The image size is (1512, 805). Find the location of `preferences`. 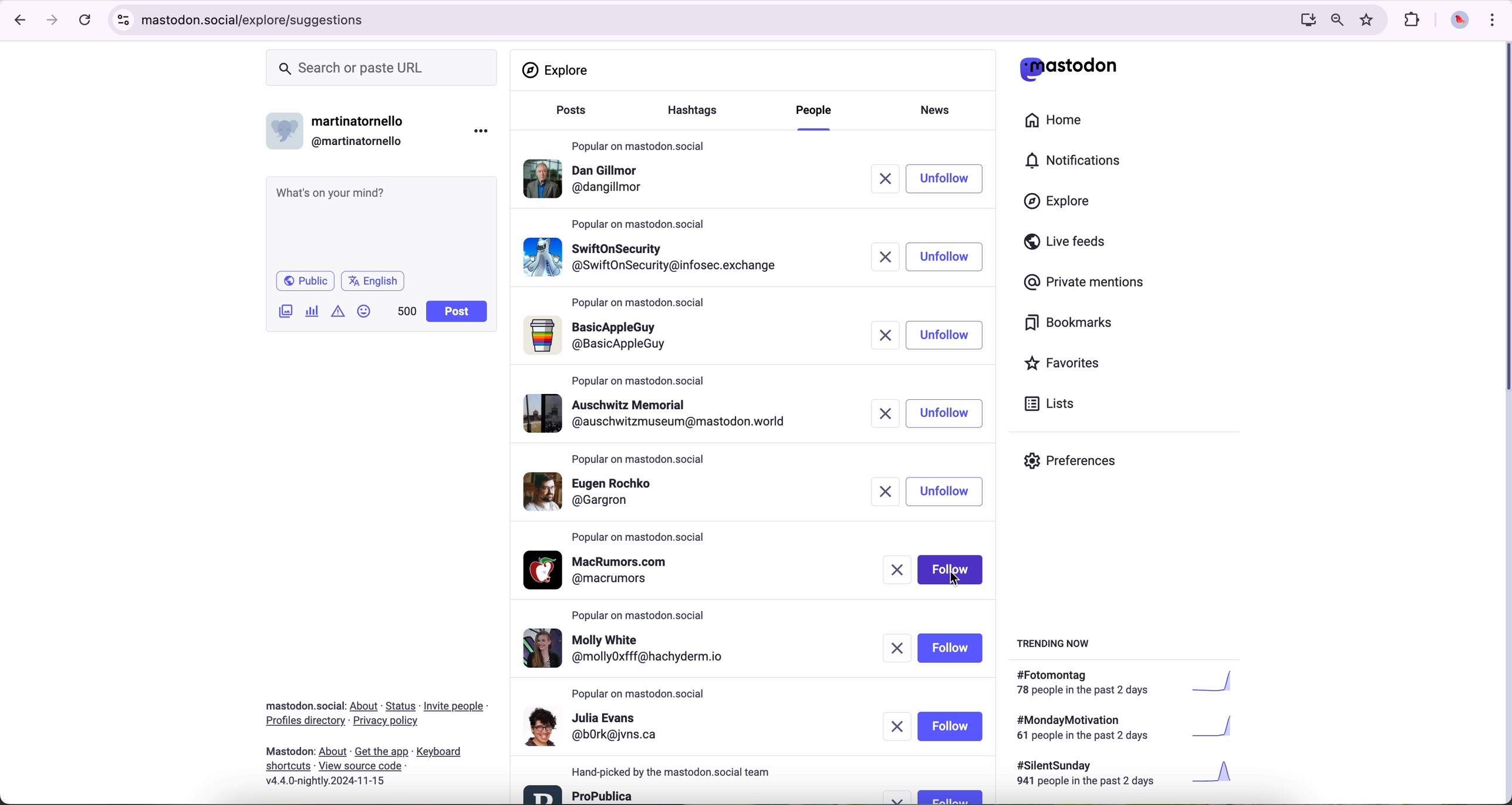

preferences is located at coordinates (1079, 465).